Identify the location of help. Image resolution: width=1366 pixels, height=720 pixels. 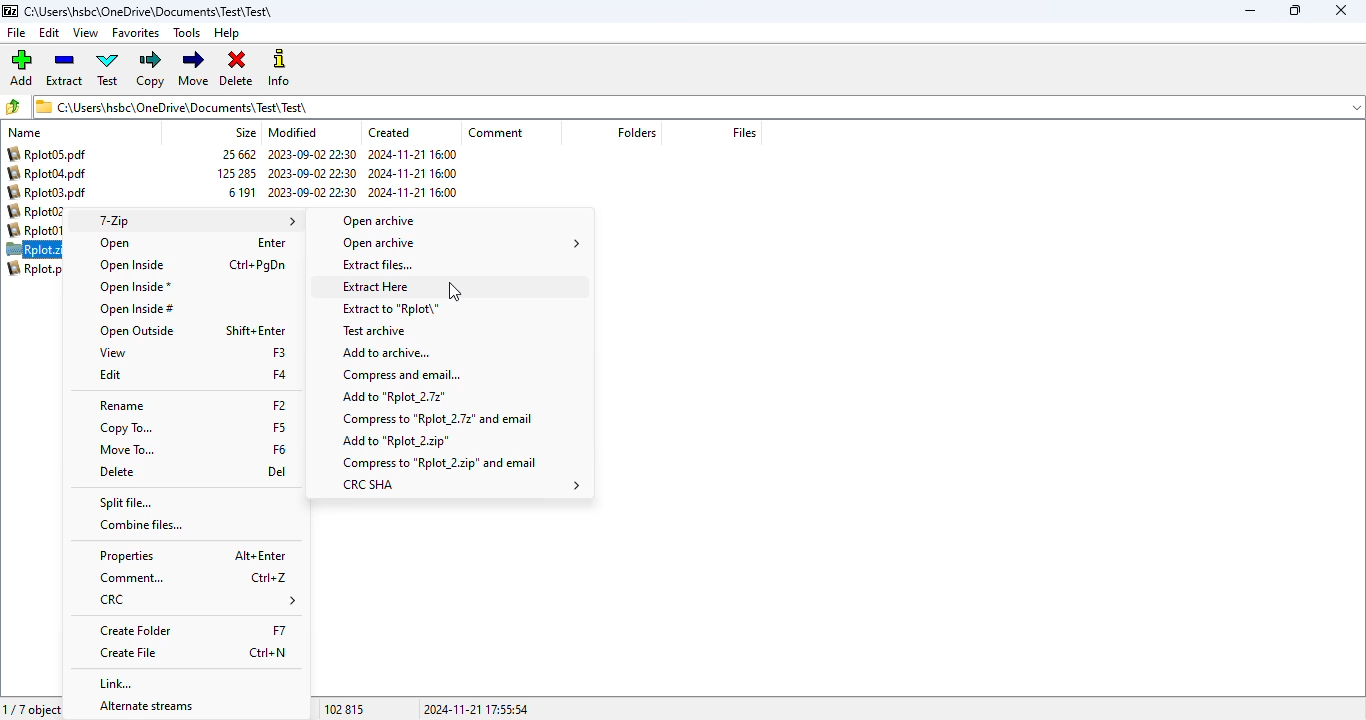
(226, 34).